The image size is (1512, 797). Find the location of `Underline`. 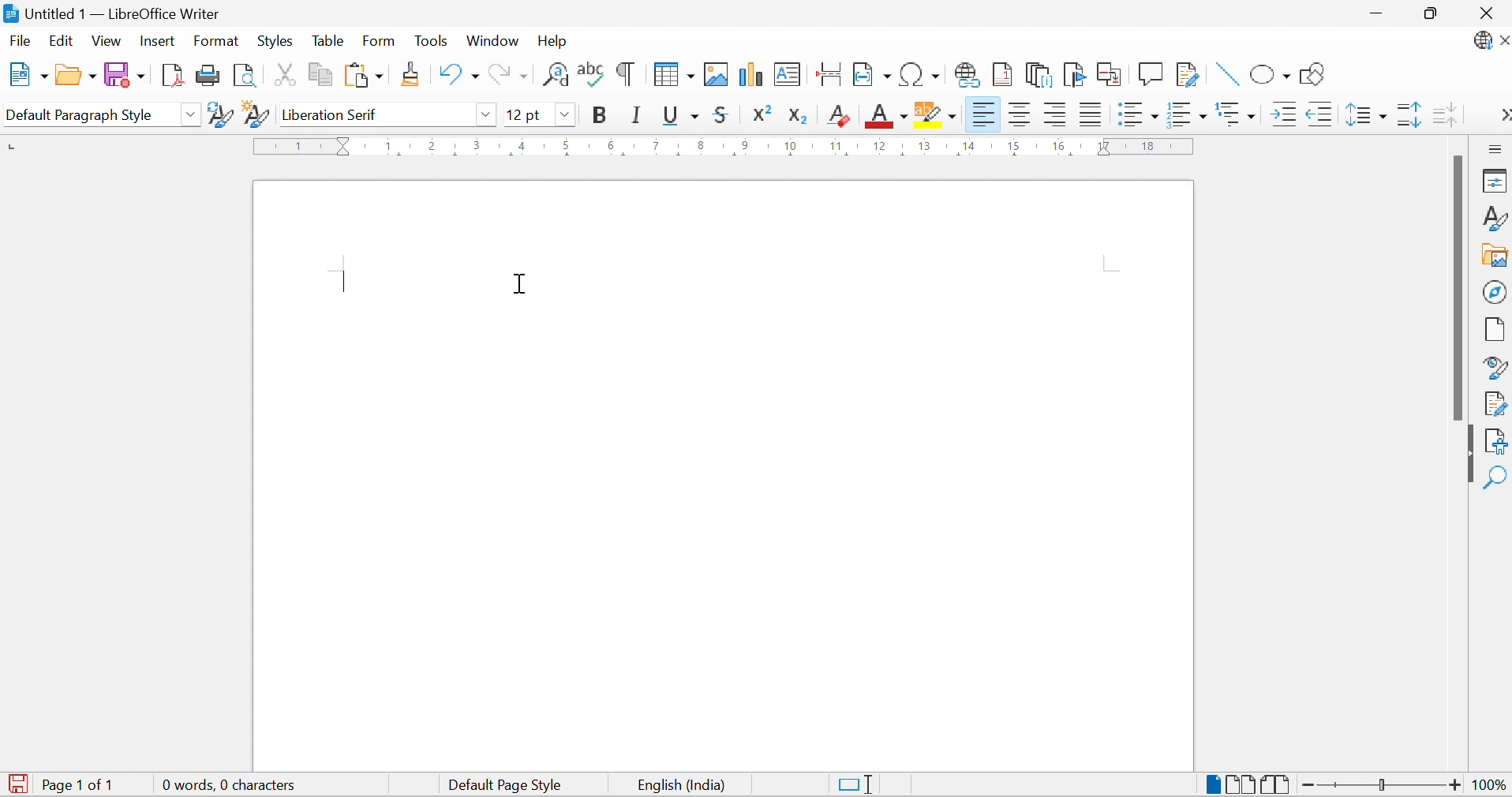

Underline is located at coordinates (680, 117).